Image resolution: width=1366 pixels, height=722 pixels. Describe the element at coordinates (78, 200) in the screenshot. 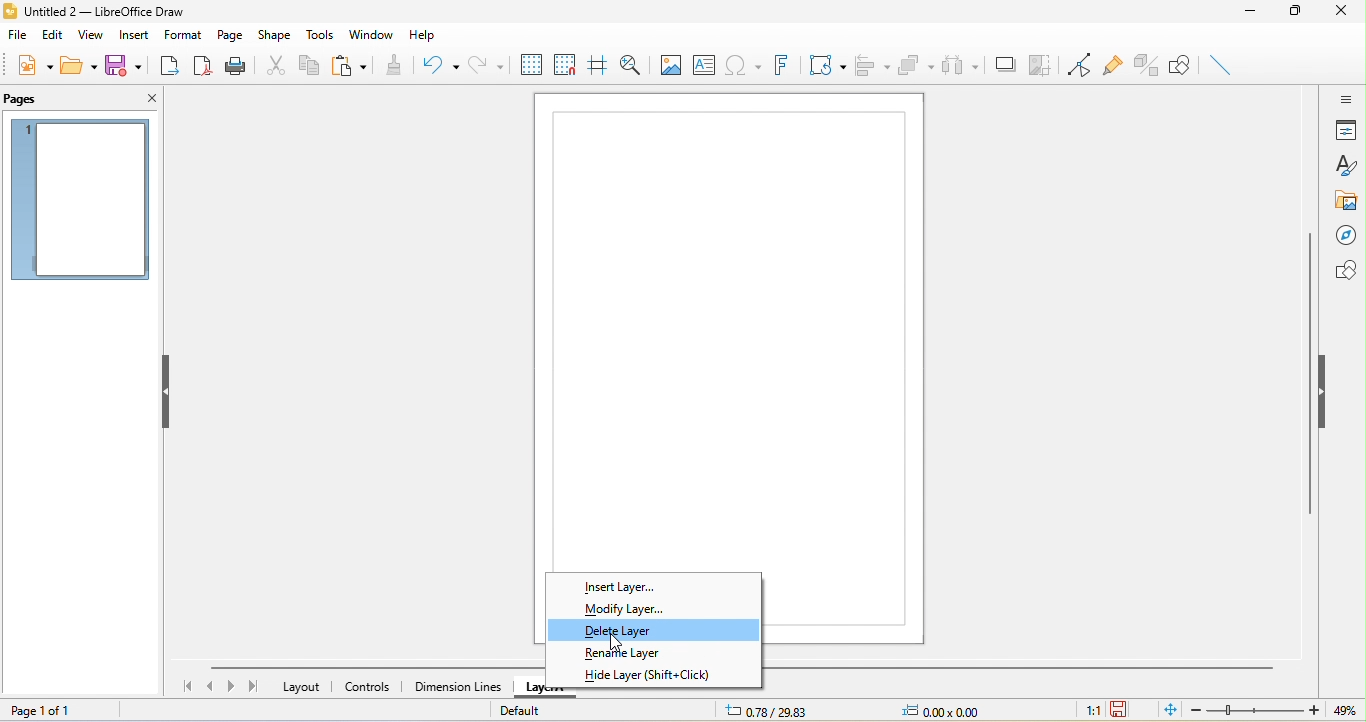

I see `page 1` at that location.